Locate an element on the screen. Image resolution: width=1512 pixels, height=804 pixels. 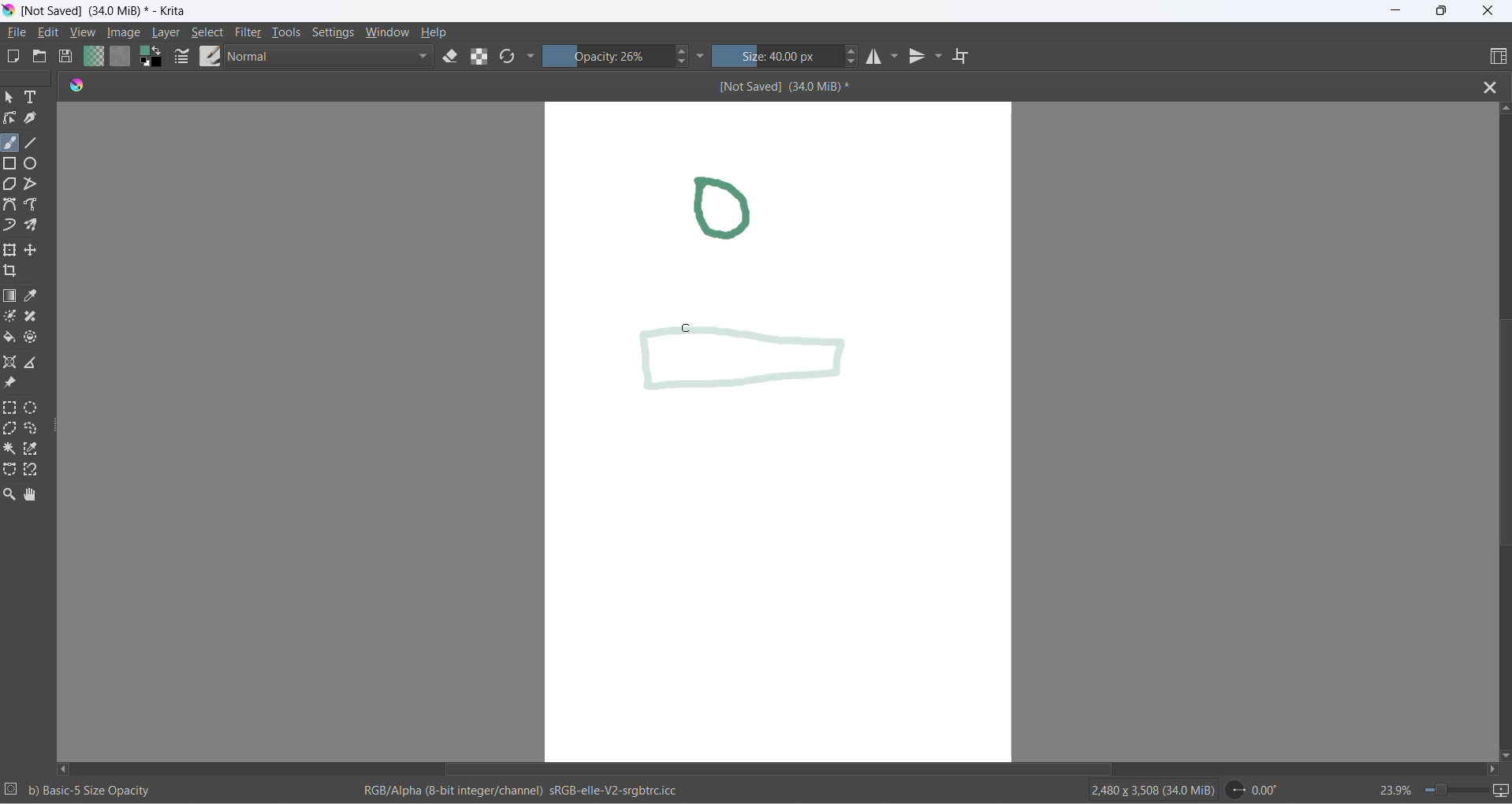
sample a color from image is located at coordinates (34, 297).